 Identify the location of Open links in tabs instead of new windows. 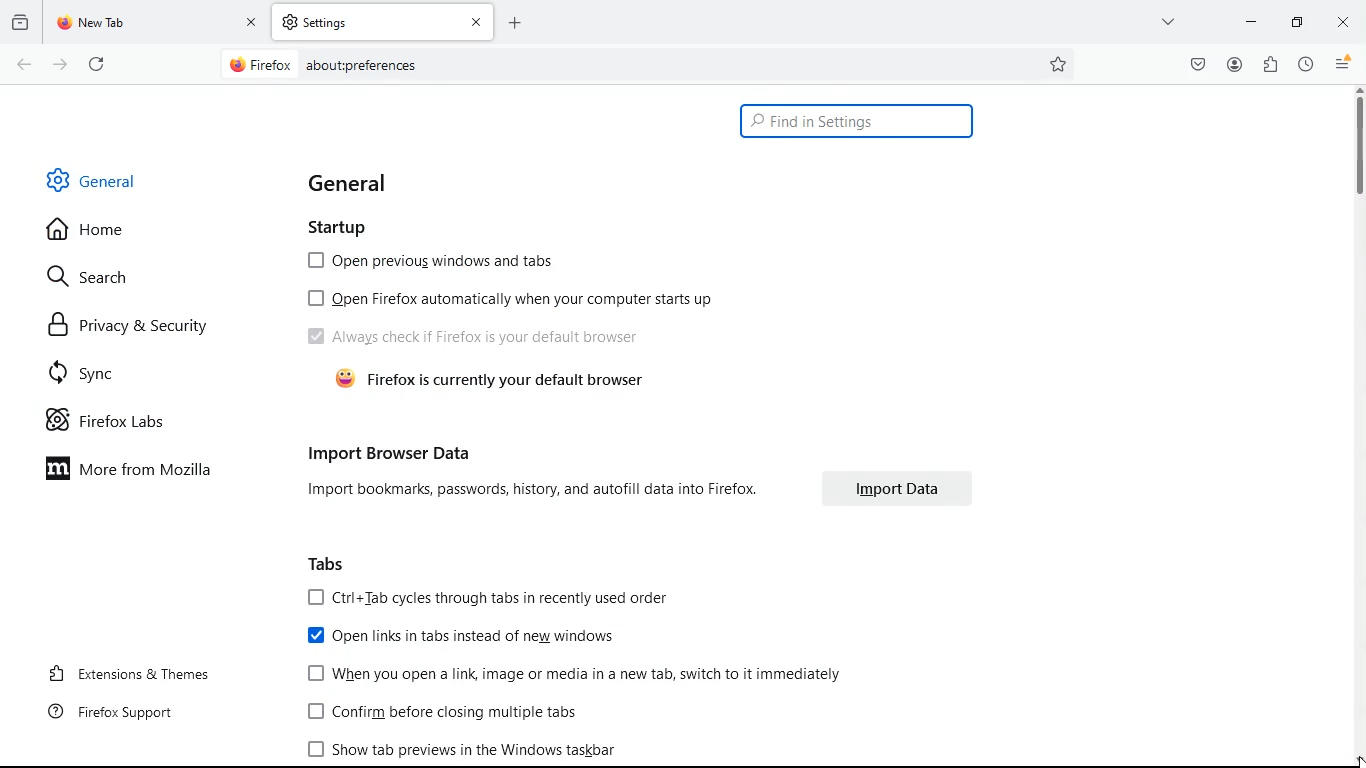
(459, 635).